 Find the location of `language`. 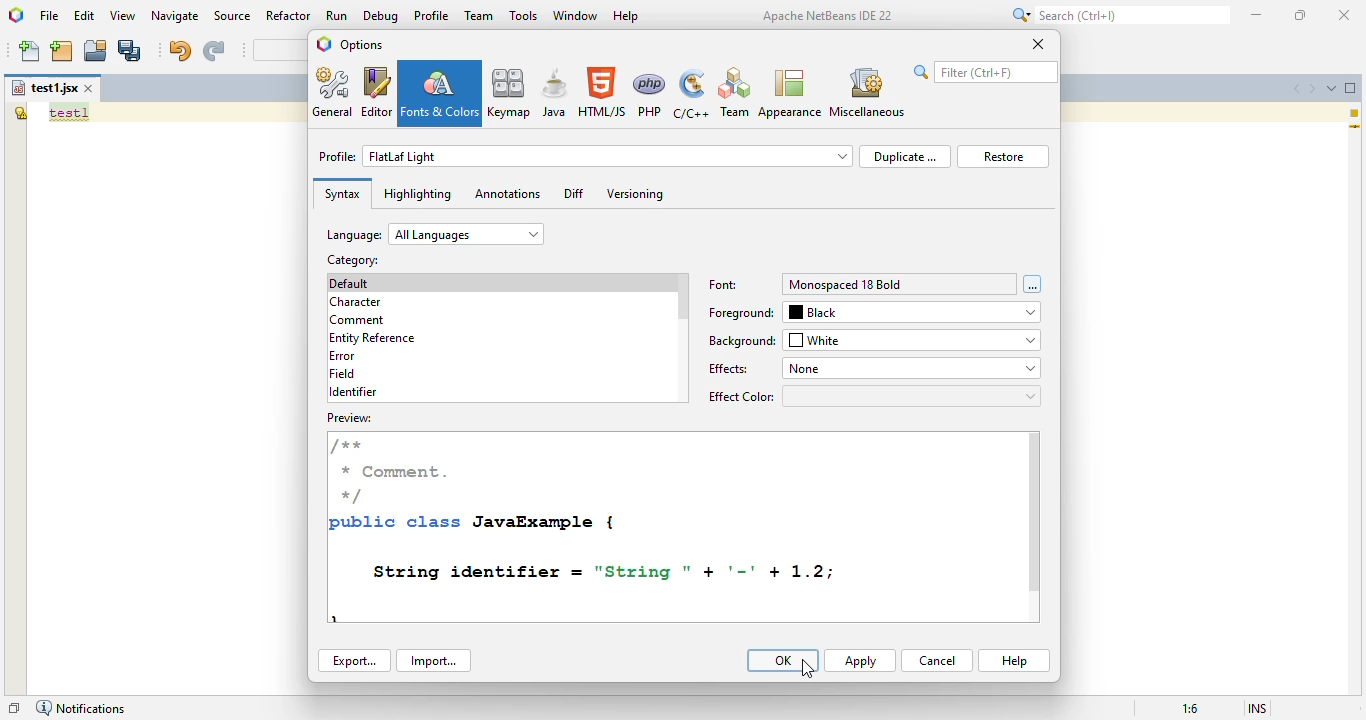

language is located at coordinates (435, 234).